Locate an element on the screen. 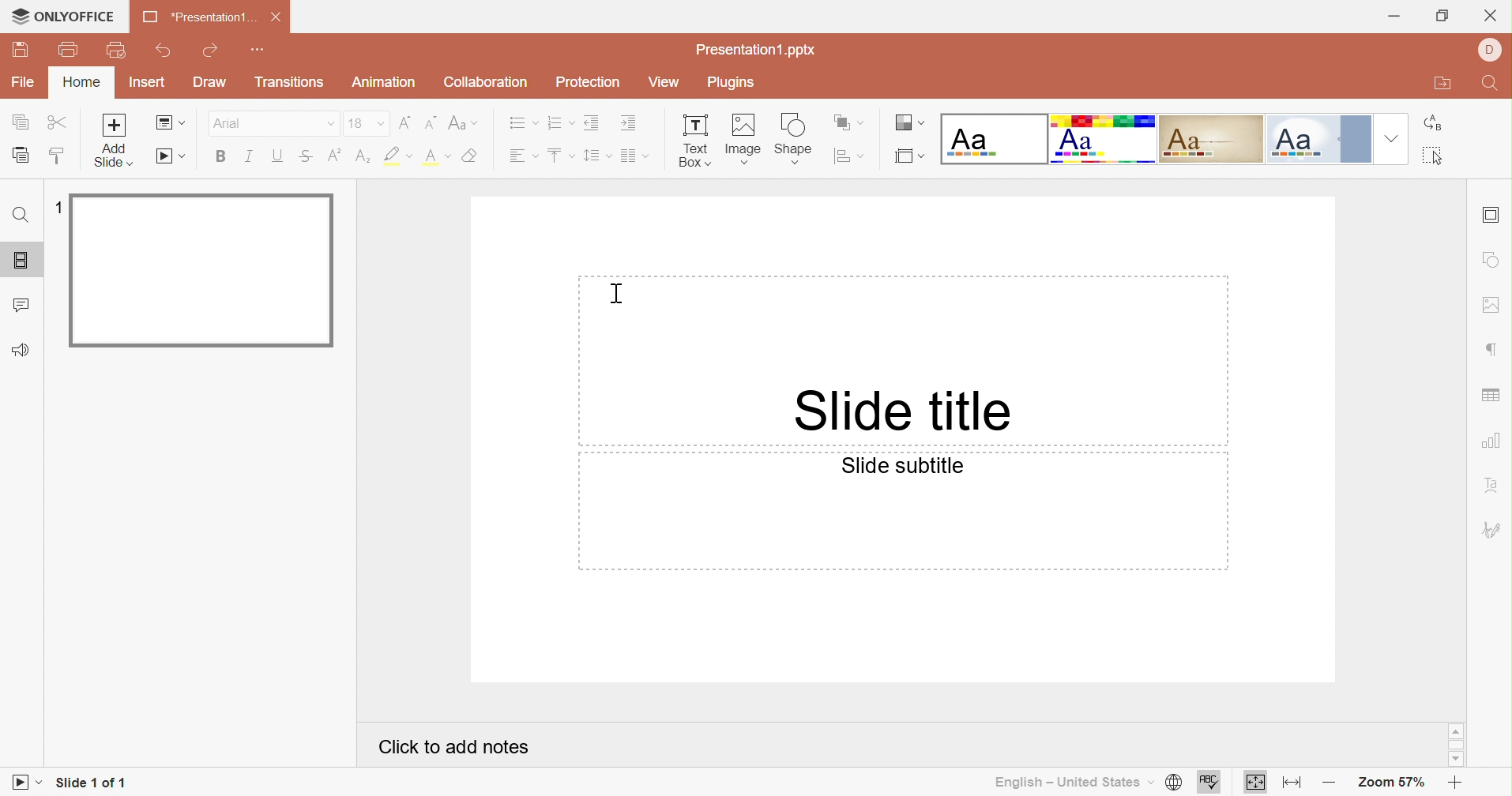 This screenshot has height=796, width=1512. Italic is located at coordinates (248, 156).